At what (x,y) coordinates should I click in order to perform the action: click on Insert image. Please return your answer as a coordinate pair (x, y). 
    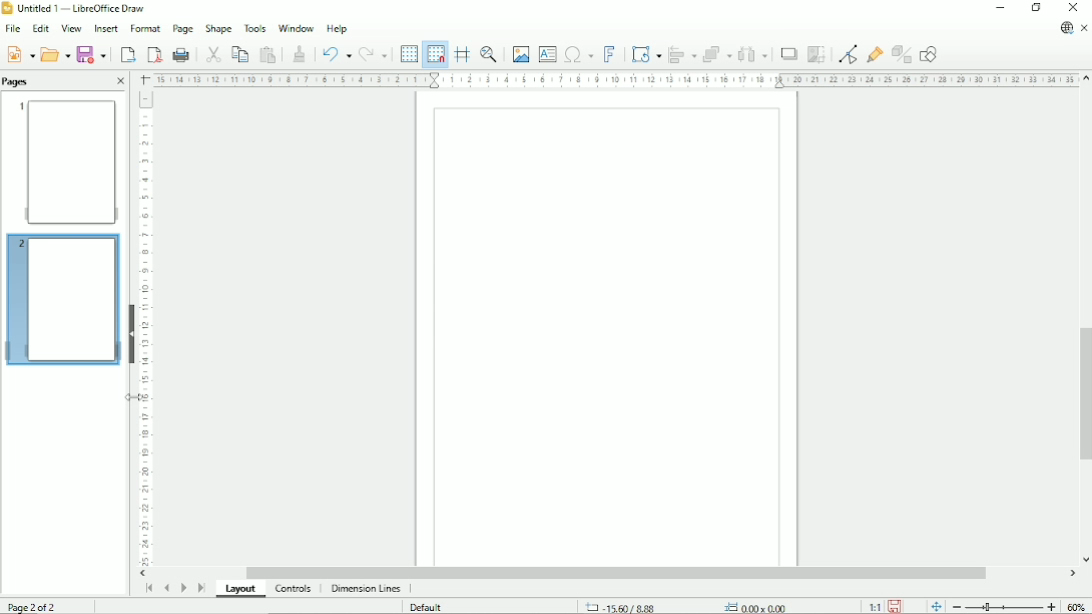
    Looking at the image, I should click on (519, 54).